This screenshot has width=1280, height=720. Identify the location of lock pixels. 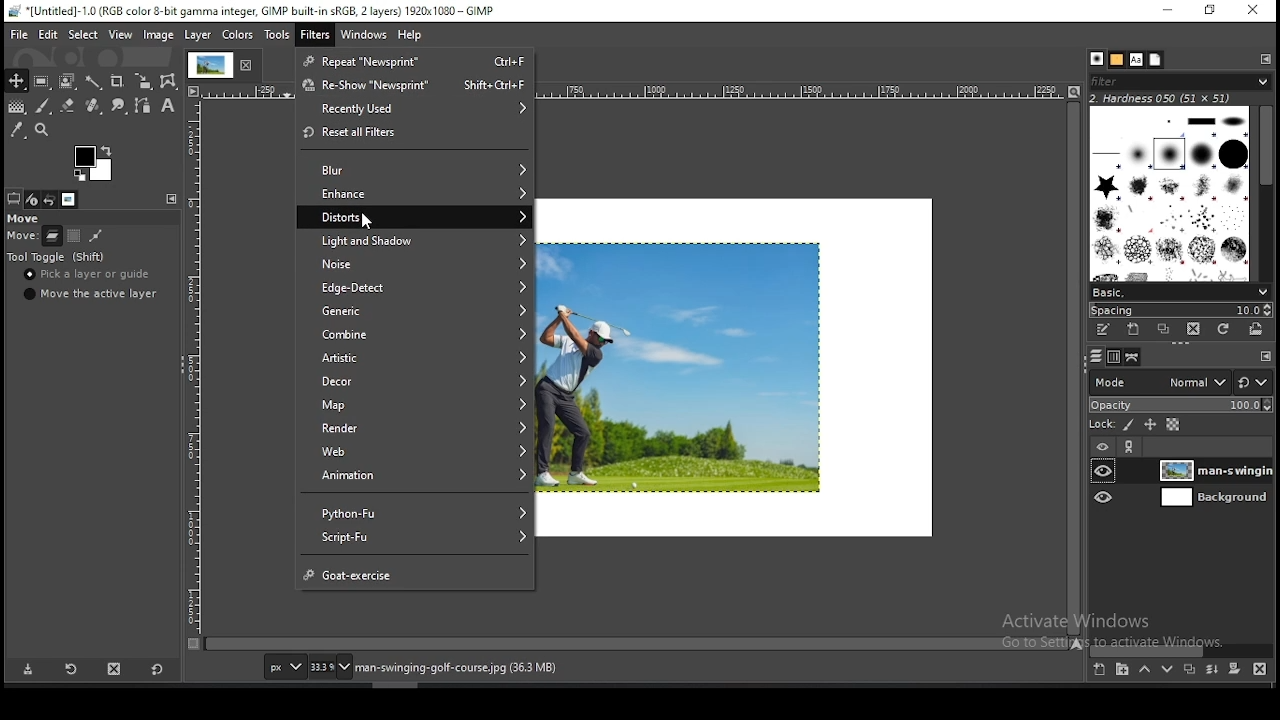
(1126, 425).